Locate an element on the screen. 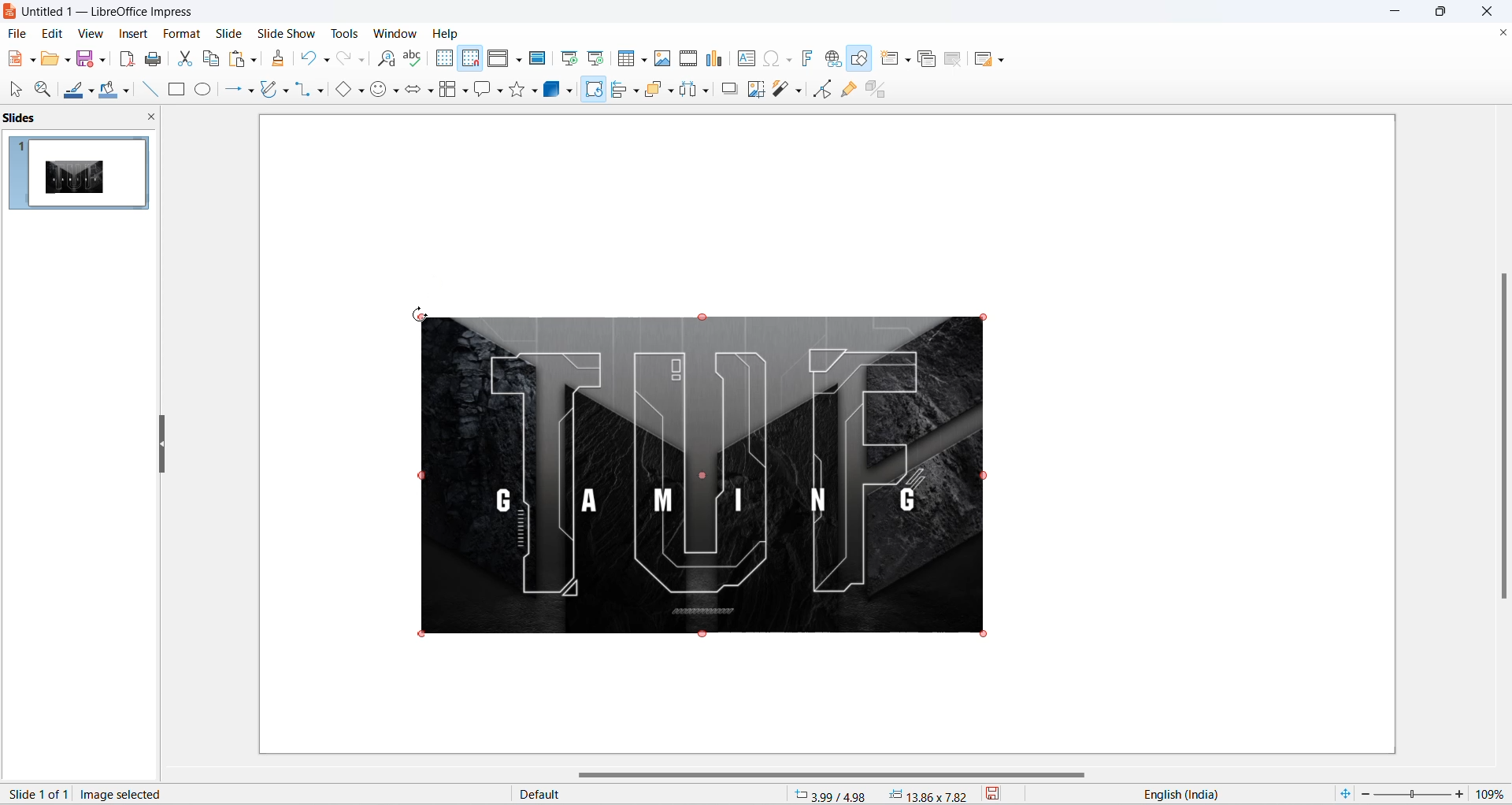  duplicate slide is located at coordinates (927, 61).